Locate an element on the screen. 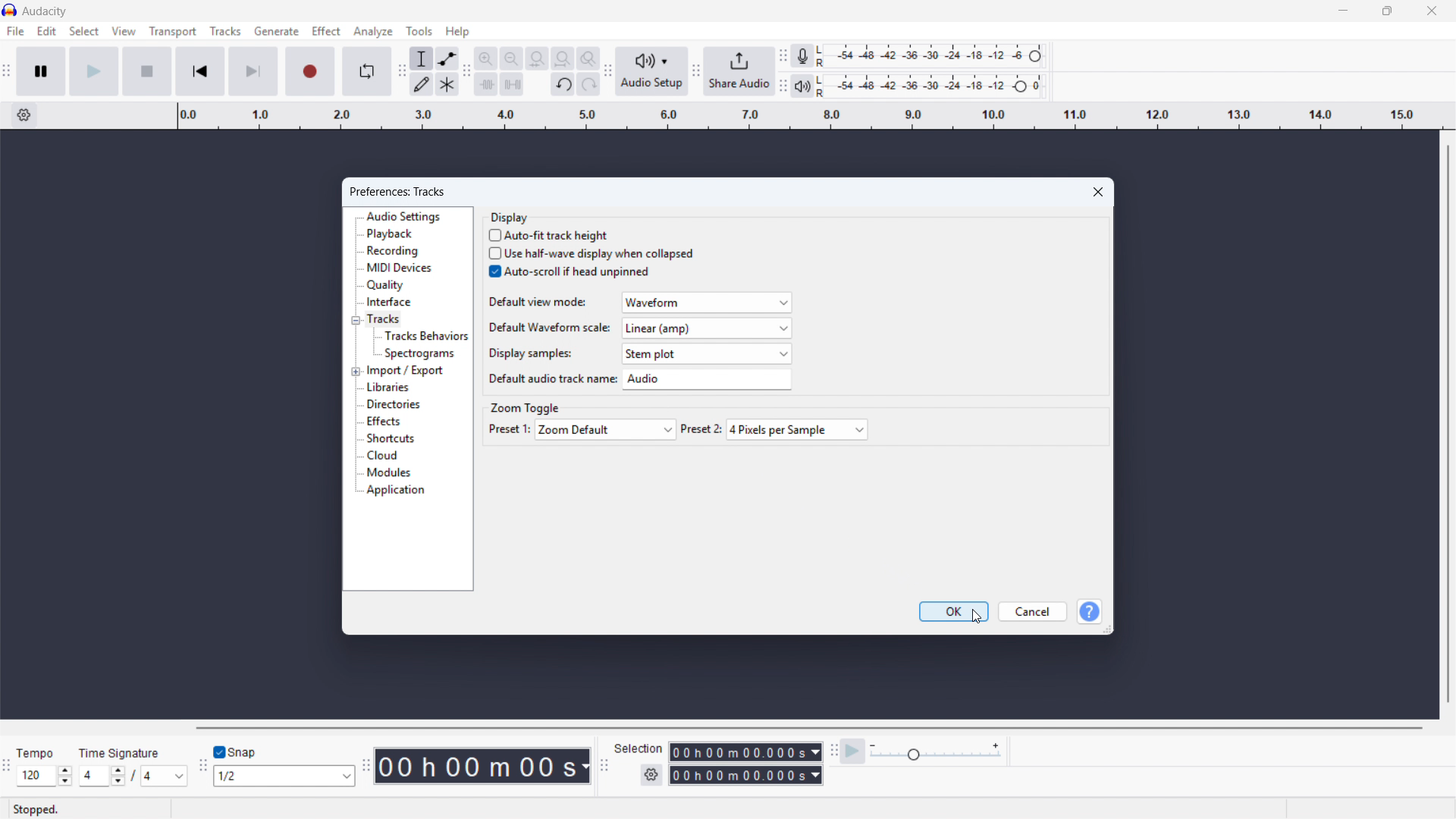 The image size is (1456, 819). use half-wave display when collapsed is located at coordinates (591, 253).